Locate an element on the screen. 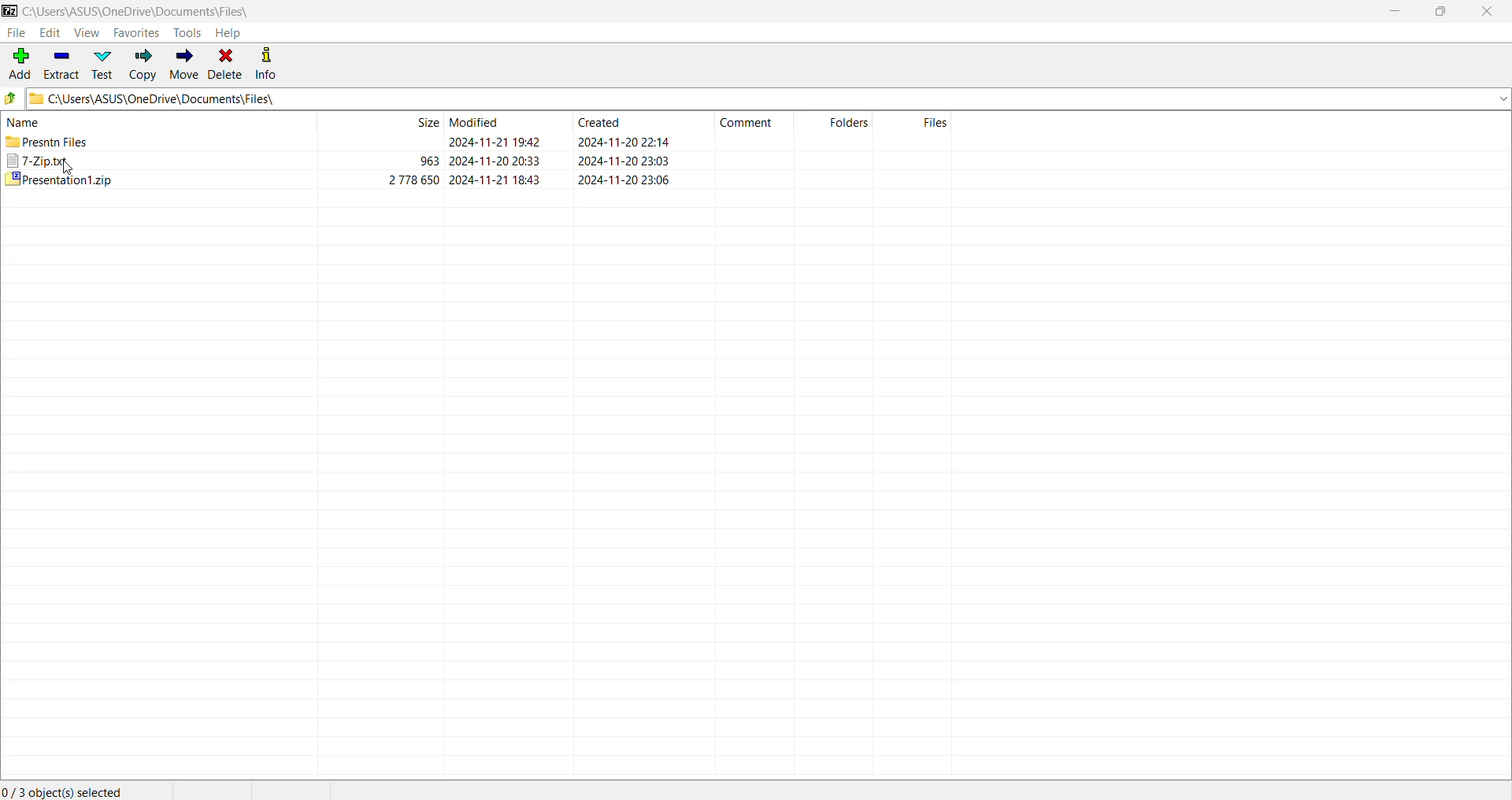 The width and height of the screenshot is (1512, 800). Test is located at coordinates (101, 65).